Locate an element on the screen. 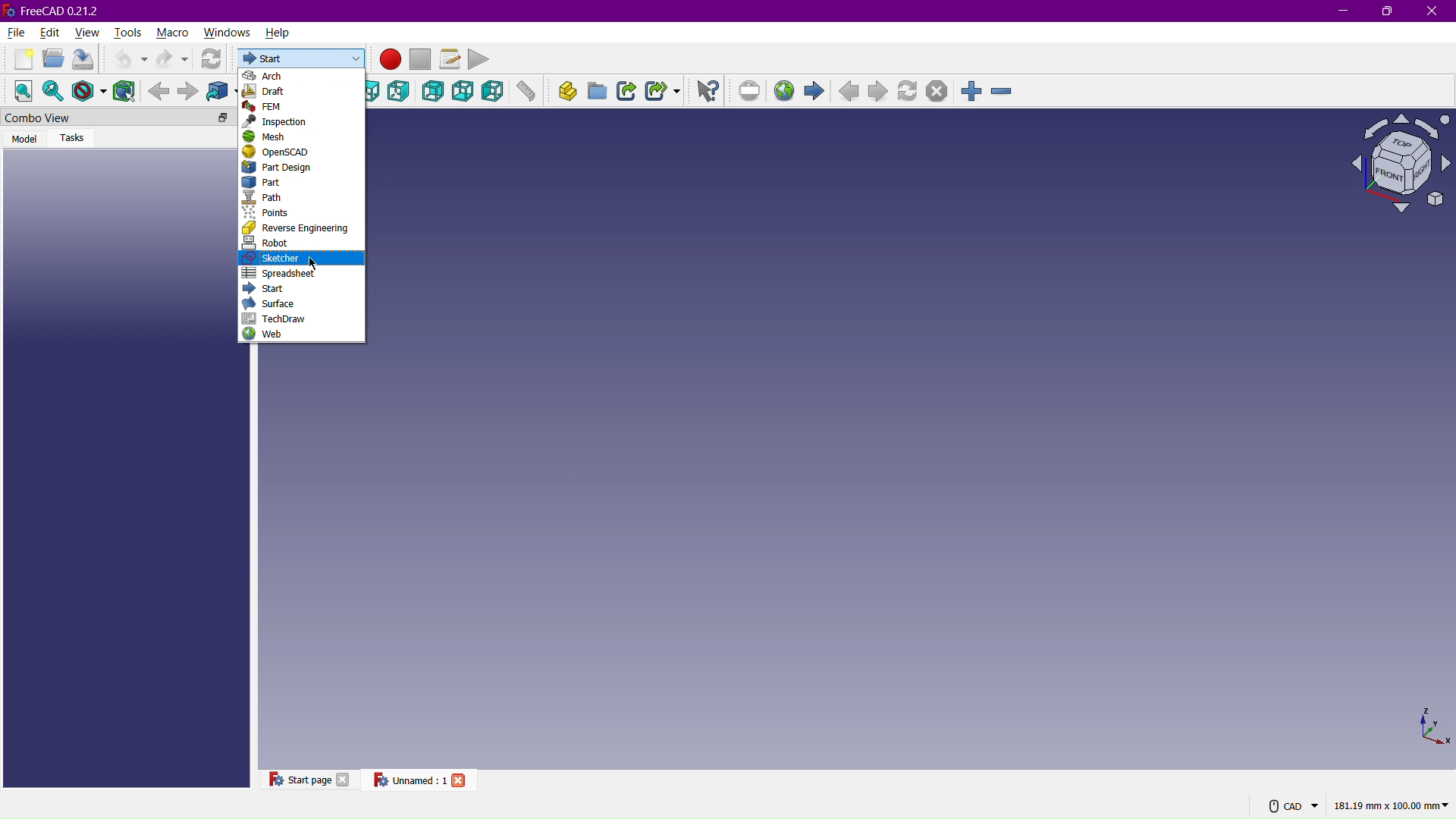 The height and width of the screenshot is (819, 1456). Refresh page is located at coordinates (909, 91).